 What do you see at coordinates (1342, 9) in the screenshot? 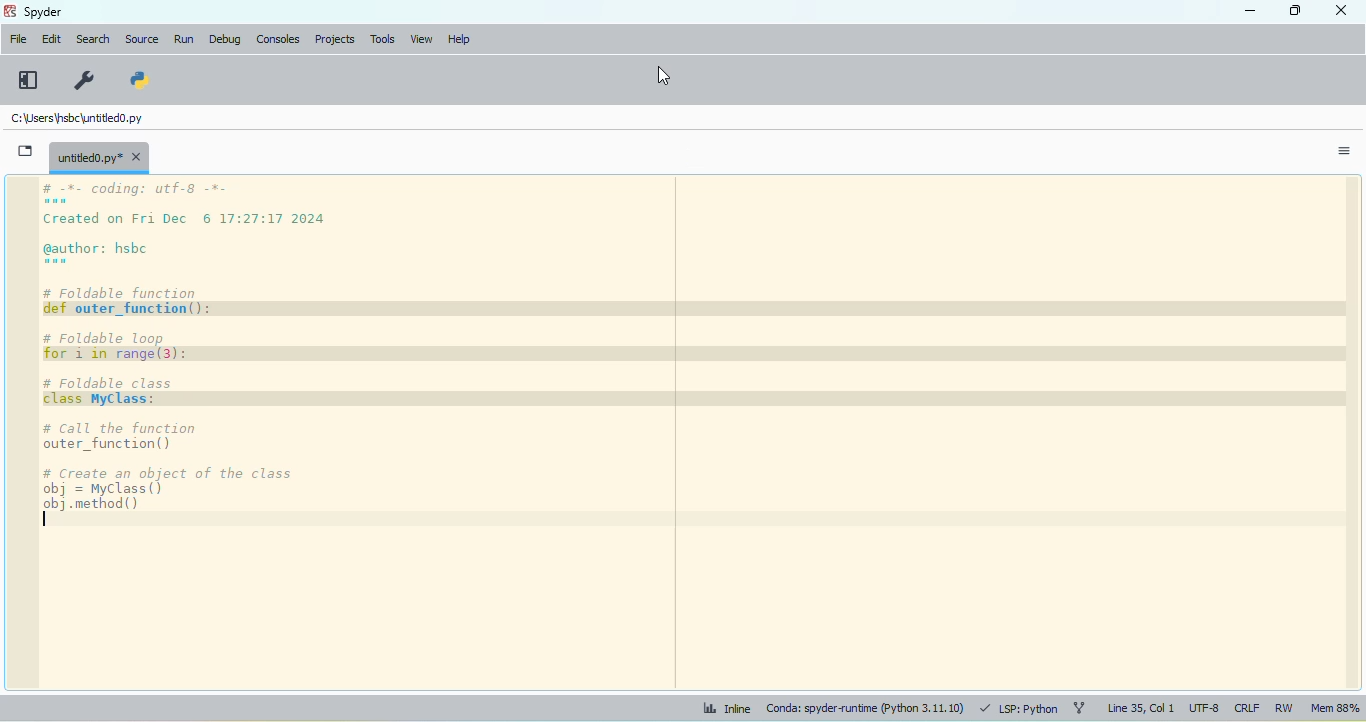
I see `close` at bounding box center [1342, 9].